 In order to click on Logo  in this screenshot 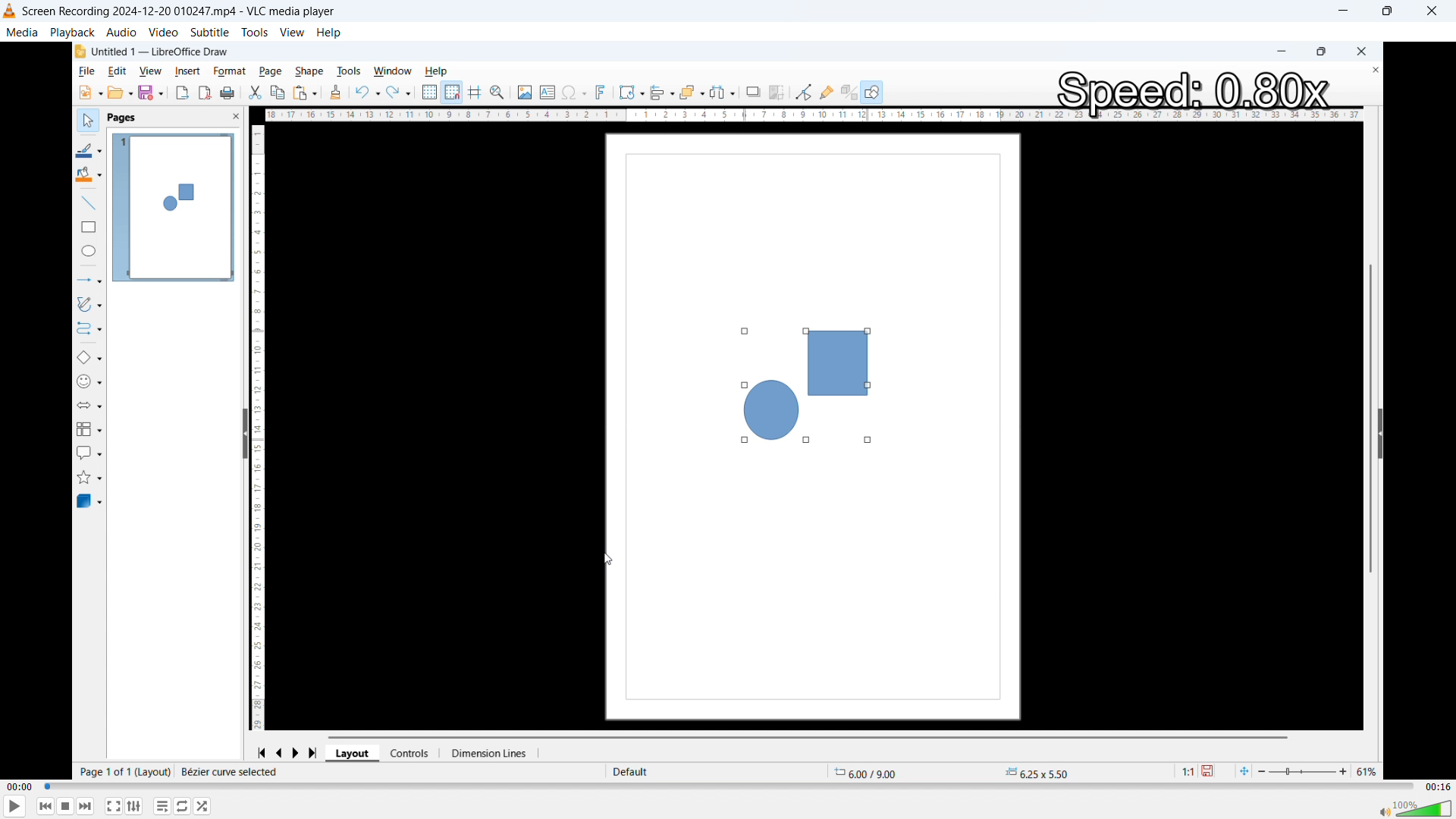, I will do `click(9, 11)`.